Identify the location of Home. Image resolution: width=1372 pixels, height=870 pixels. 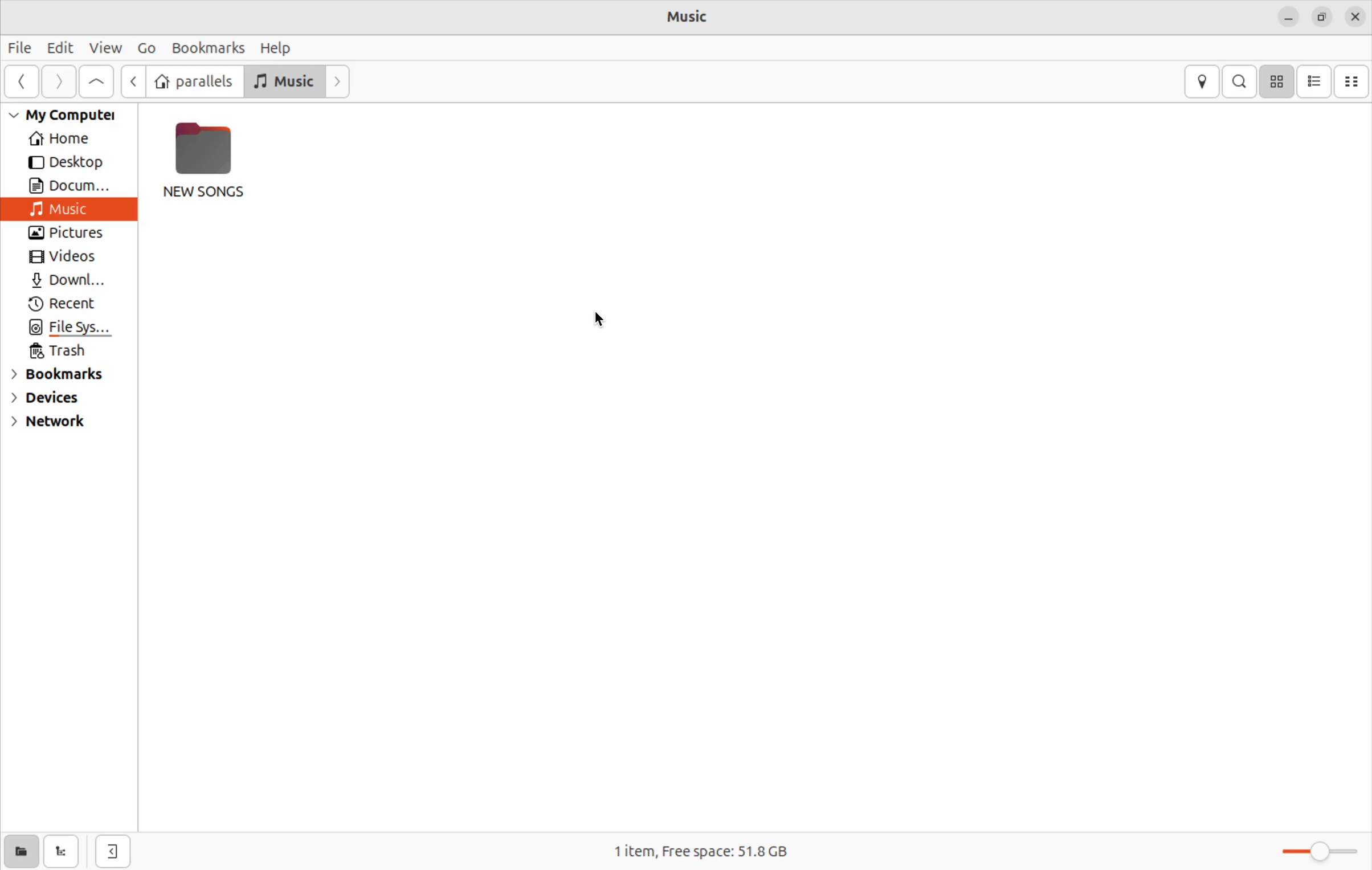
(56, 141).